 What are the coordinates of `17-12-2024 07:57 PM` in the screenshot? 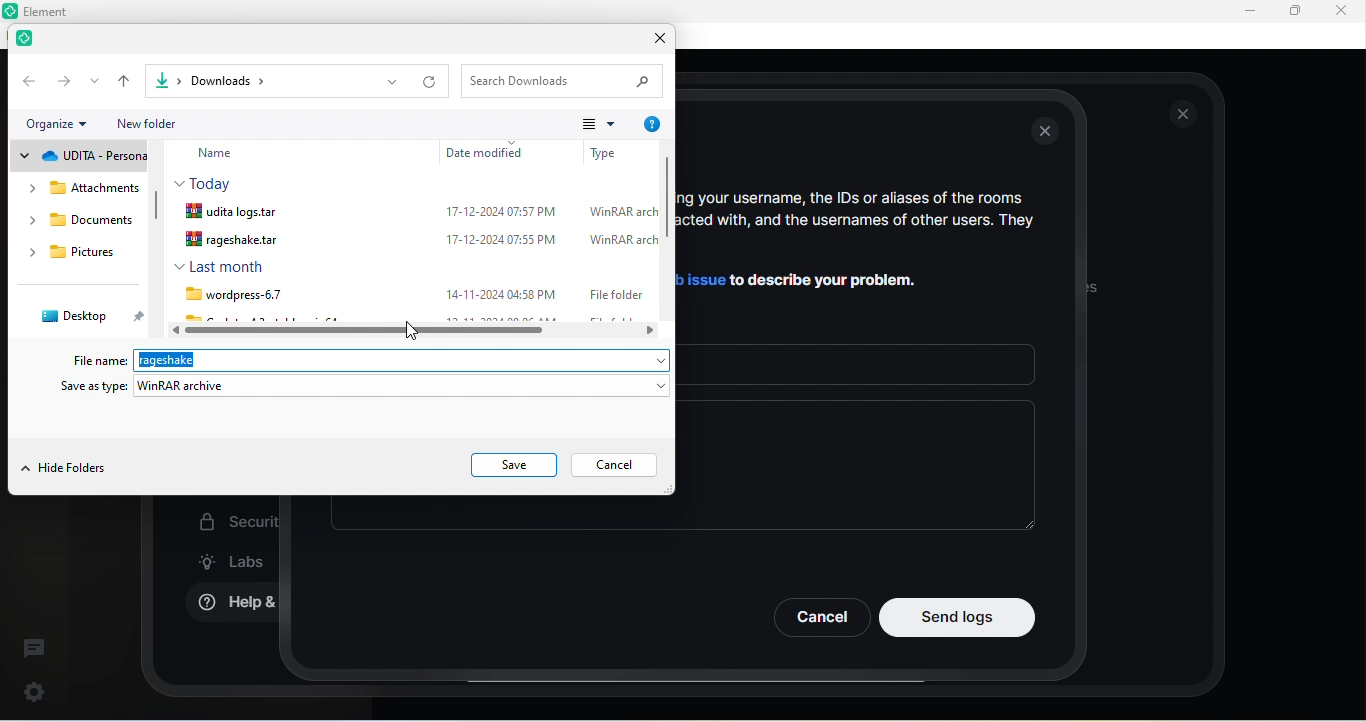 It's located at (499, 212).